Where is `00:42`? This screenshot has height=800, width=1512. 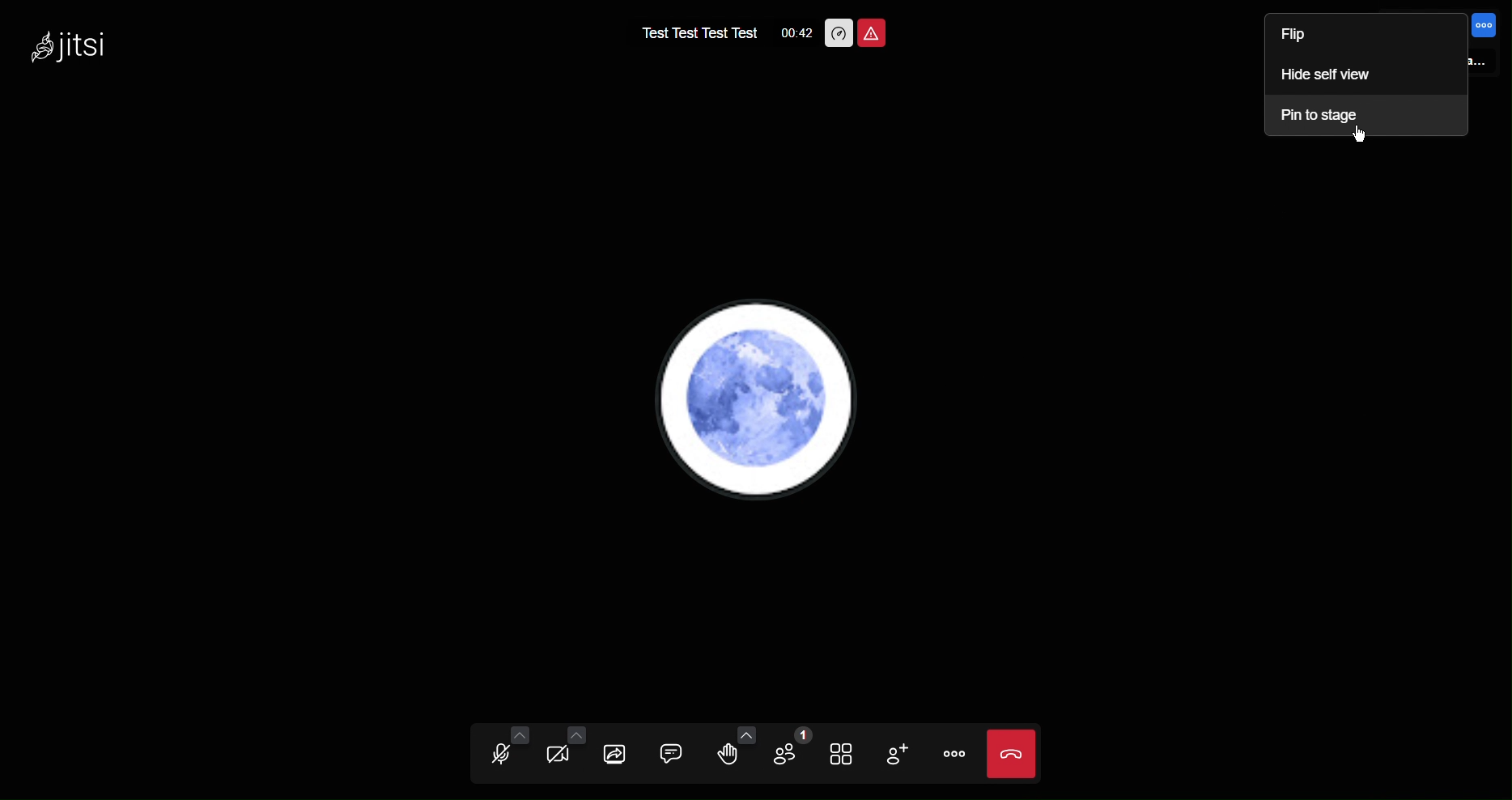
00:42 is located at coordinates (792, 36).